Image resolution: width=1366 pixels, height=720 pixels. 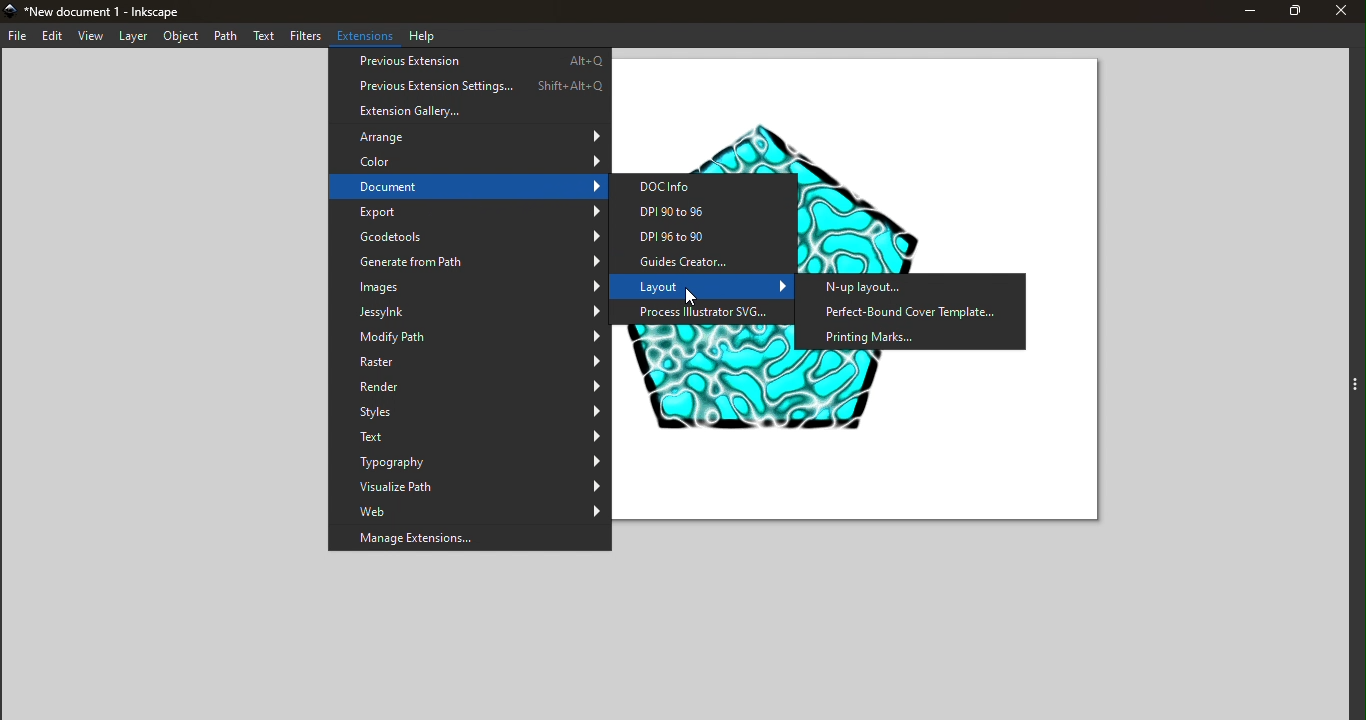 I want to click on Extension Gallery..., so click(x=470, y=112).